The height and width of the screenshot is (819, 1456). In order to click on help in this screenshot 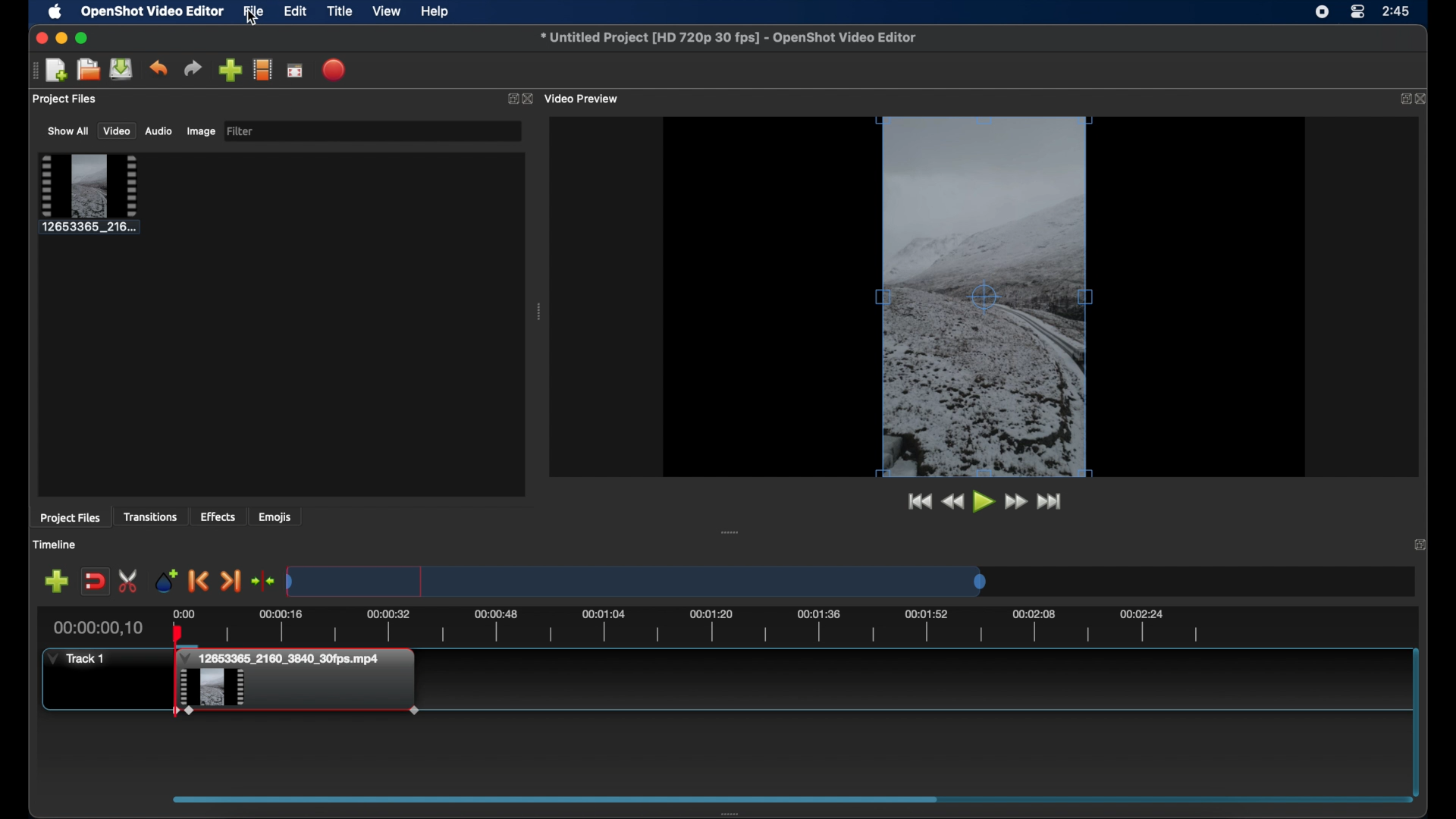, I will do `click(437, 11)`.